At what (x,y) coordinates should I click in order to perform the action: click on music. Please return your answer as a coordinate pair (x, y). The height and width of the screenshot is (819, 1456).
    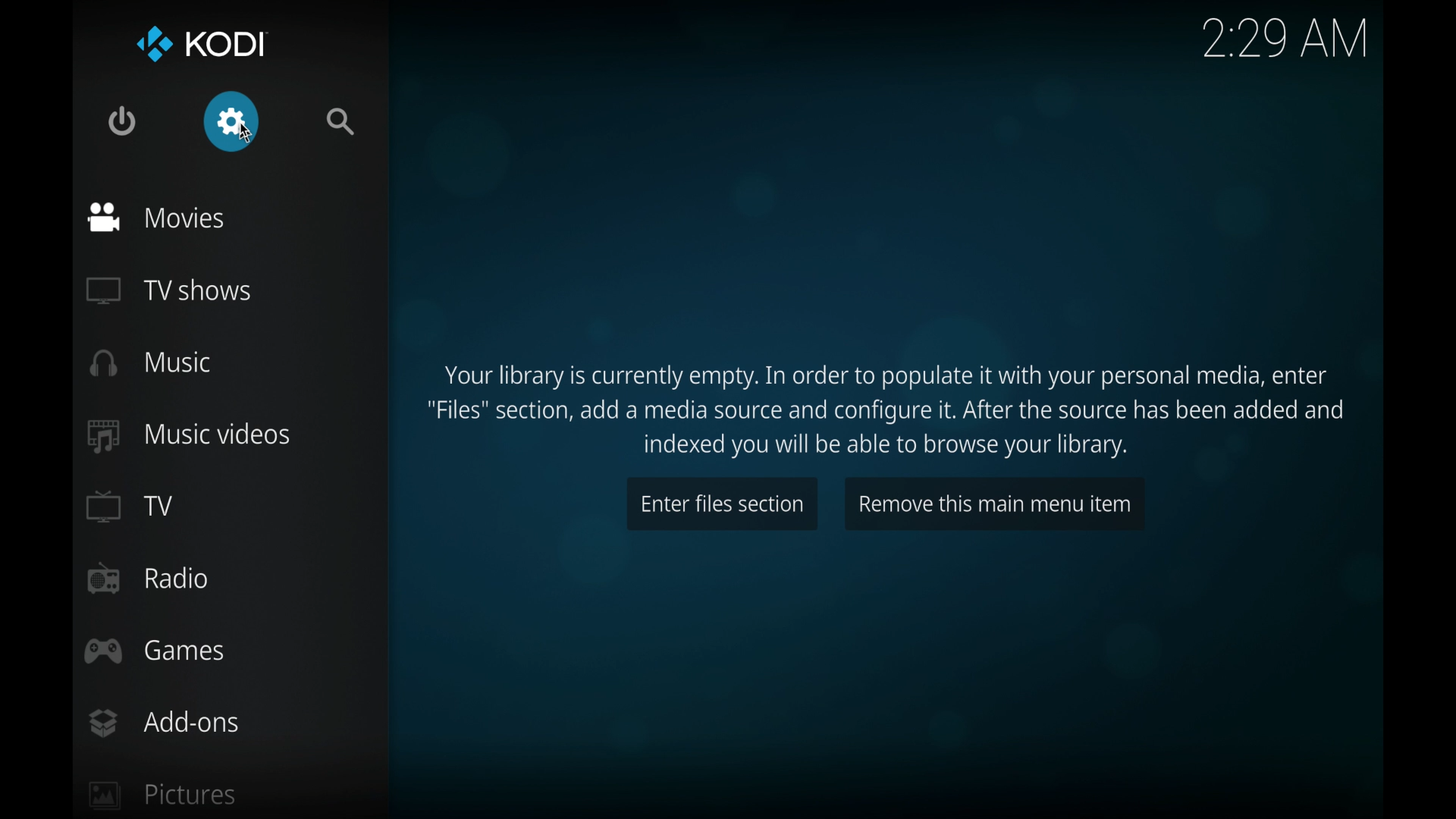
    Looking at the image, I should click on (153, 363).